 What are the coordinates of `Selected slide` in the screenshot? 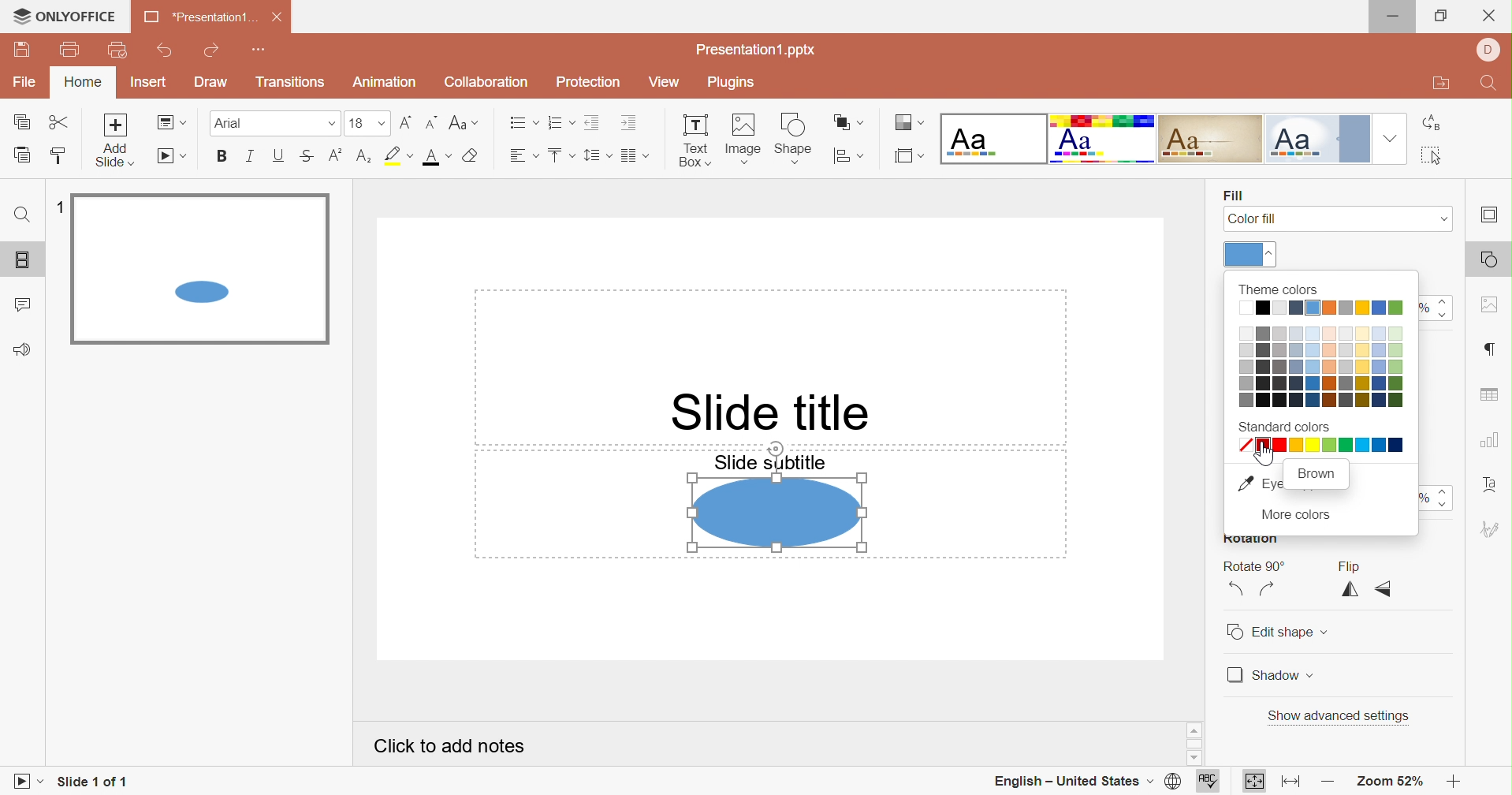 It's located at (200, 269).